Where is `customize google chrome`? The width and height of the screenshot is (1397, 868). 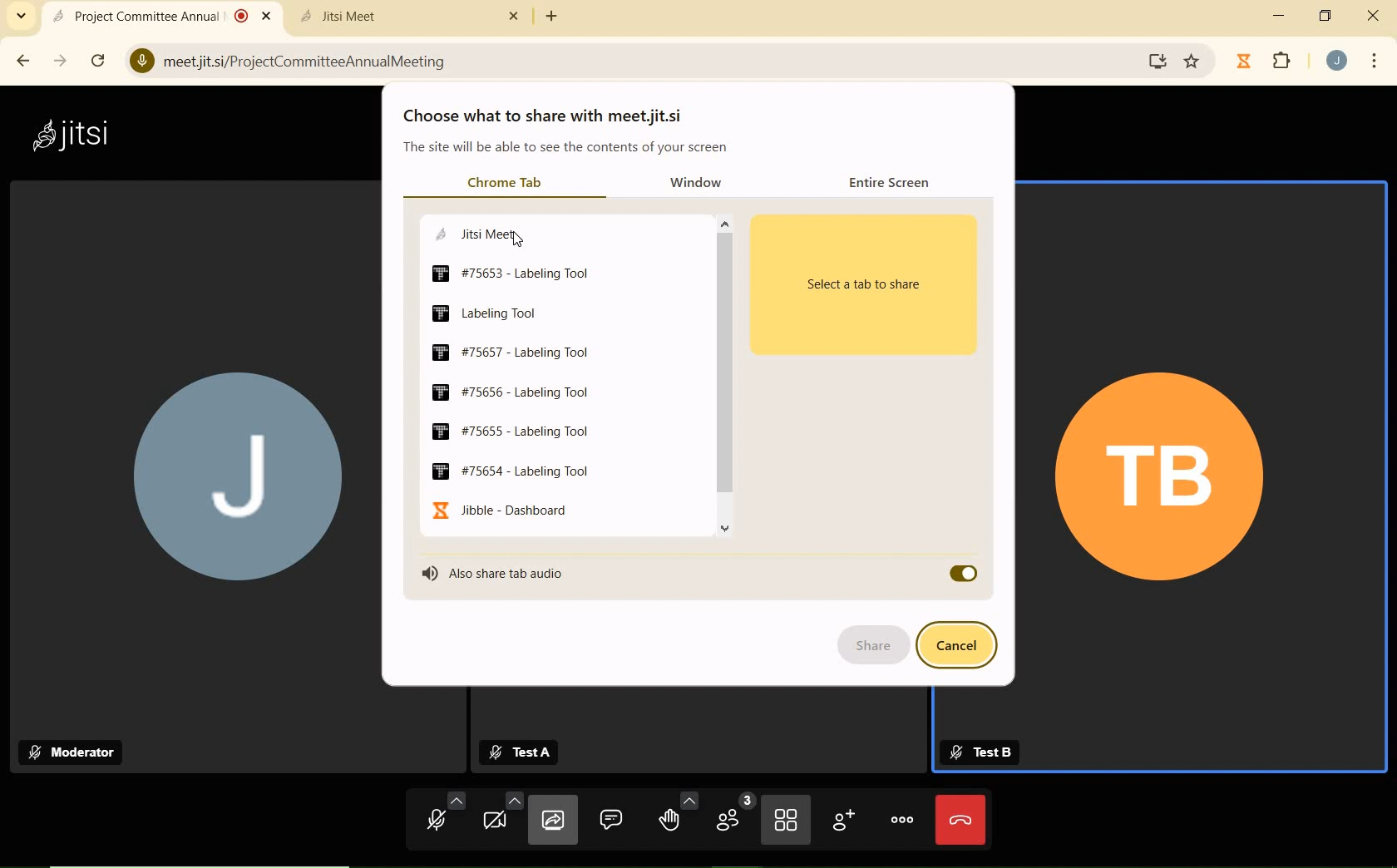 customize google chrome is located at coordinates (1374, 62).